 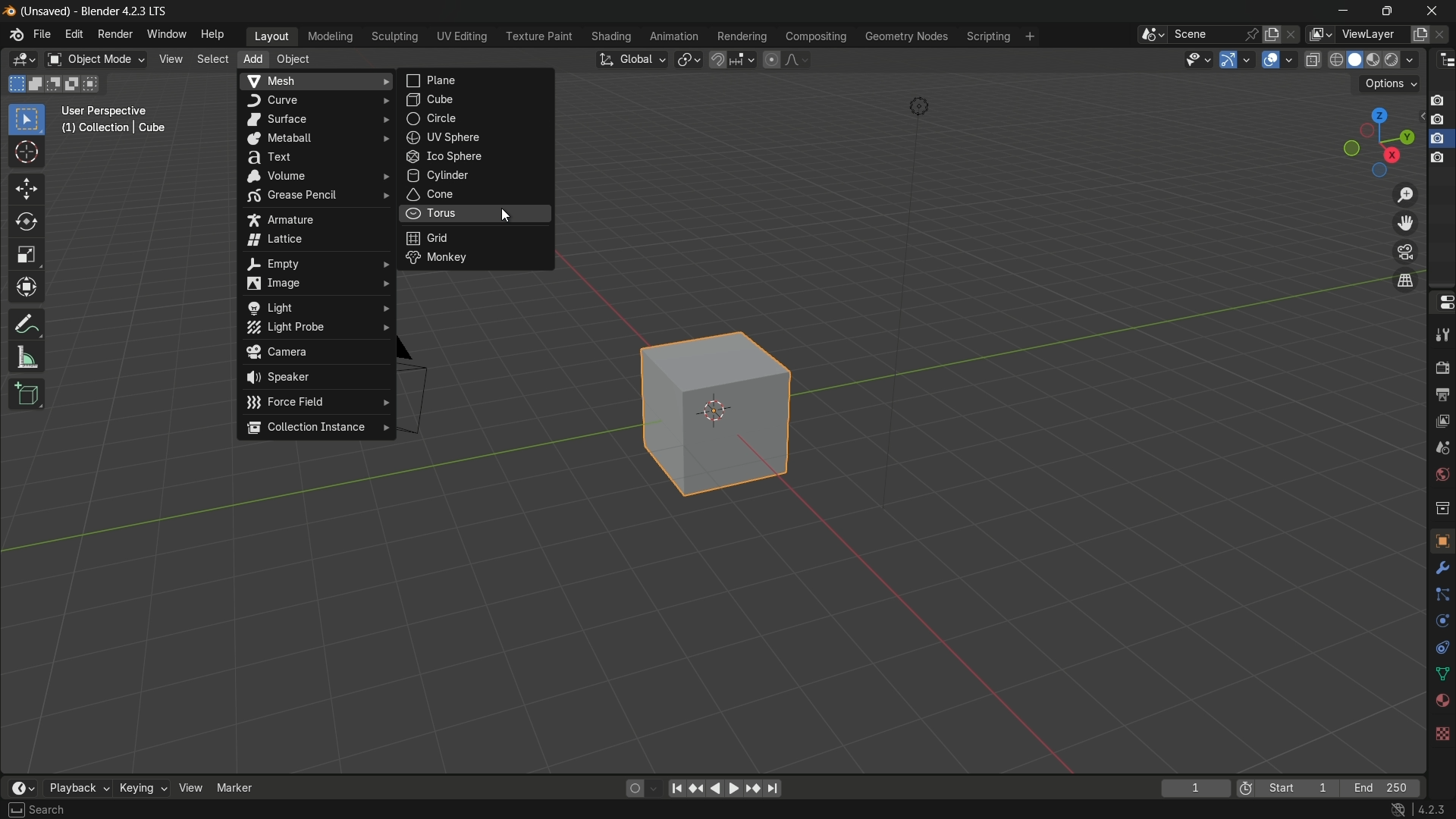 I want to click on selectability and visibility, so click(x=1199, y=59).